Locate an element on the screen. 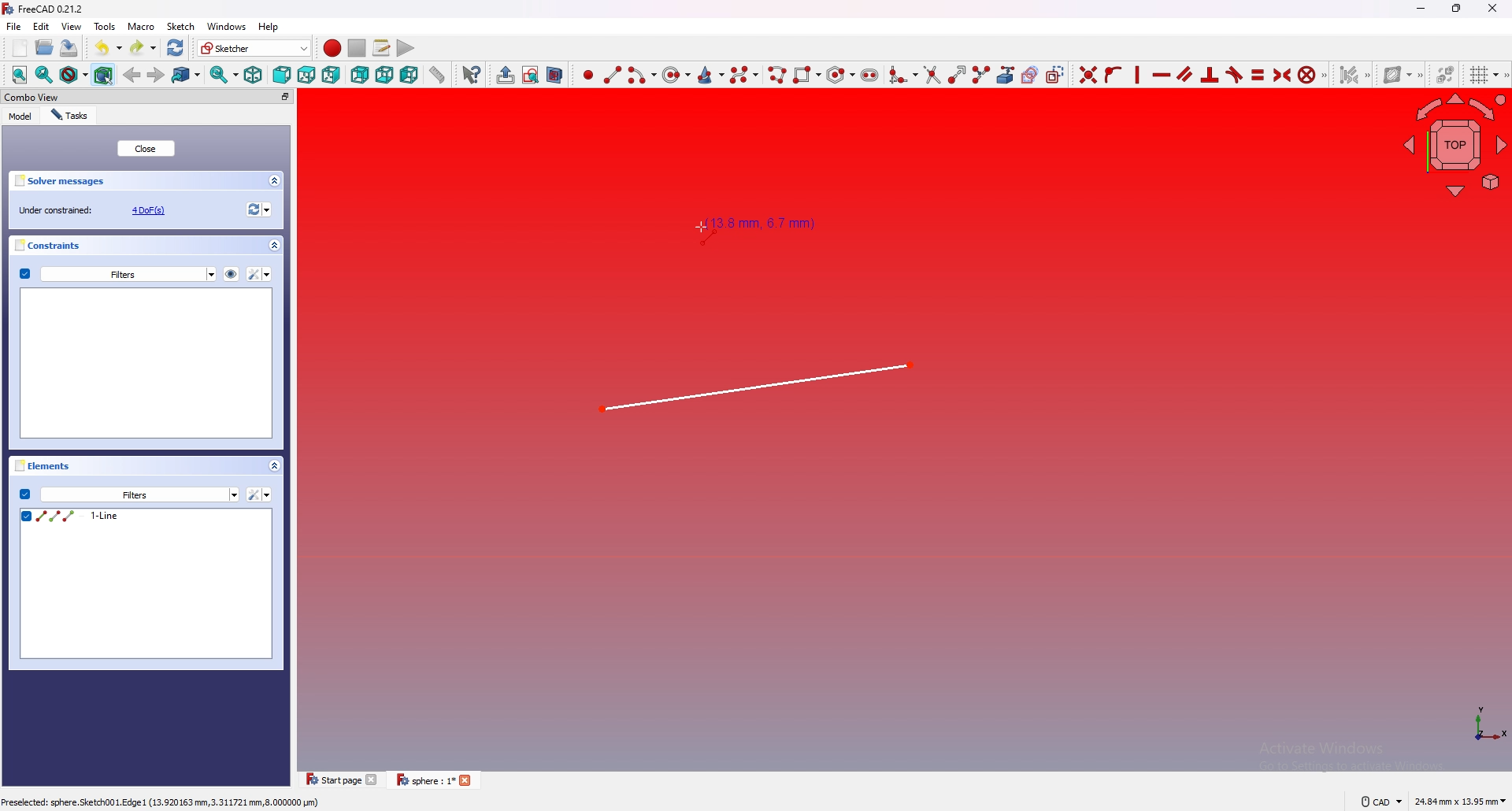 The image size is (1512, 811). Show/hide all hidden constraints from 3D view. (same as ticking/unticking all listed constraints in list below) is located at coordinates (231, 272).